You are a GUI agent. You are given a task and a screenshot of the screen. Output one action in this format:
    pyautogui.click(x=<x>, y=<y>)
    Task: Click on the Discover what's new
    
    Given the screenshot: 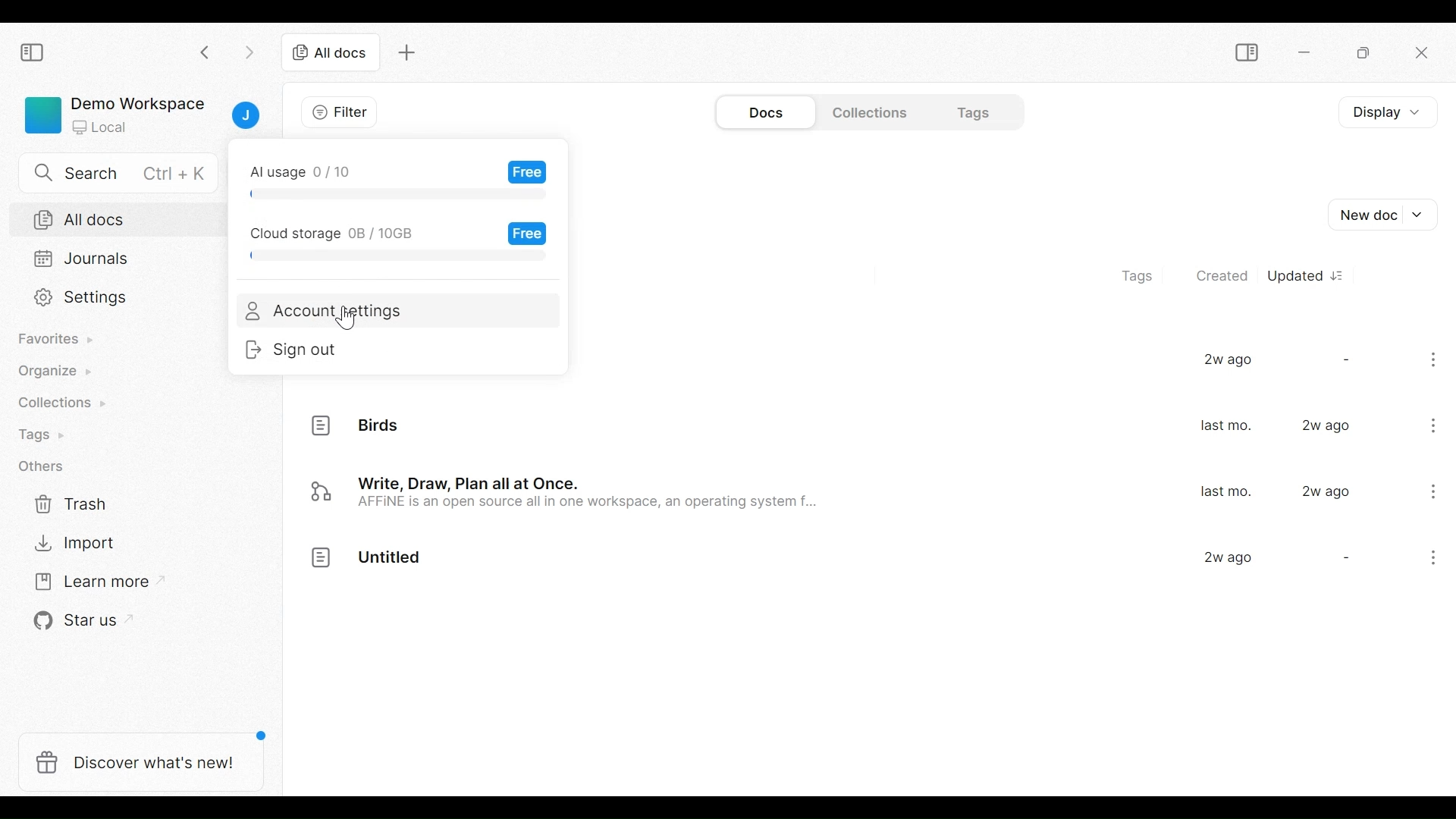 What is the action you would take?
    pyautogui.click(x=140, y=764)
    